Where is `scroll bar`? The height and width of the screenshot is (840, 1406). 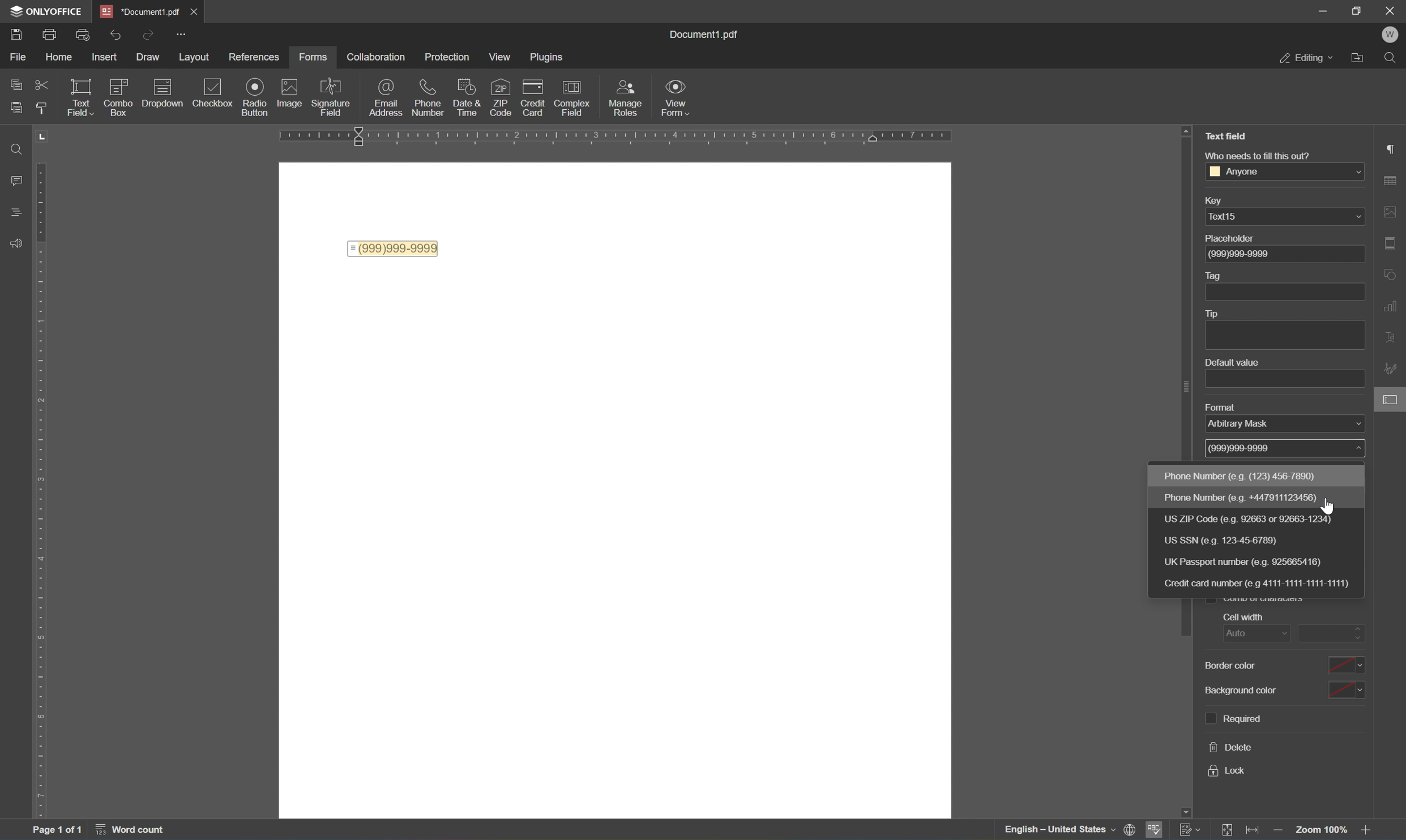
scroll bar is located at coordinates (1183, 622).